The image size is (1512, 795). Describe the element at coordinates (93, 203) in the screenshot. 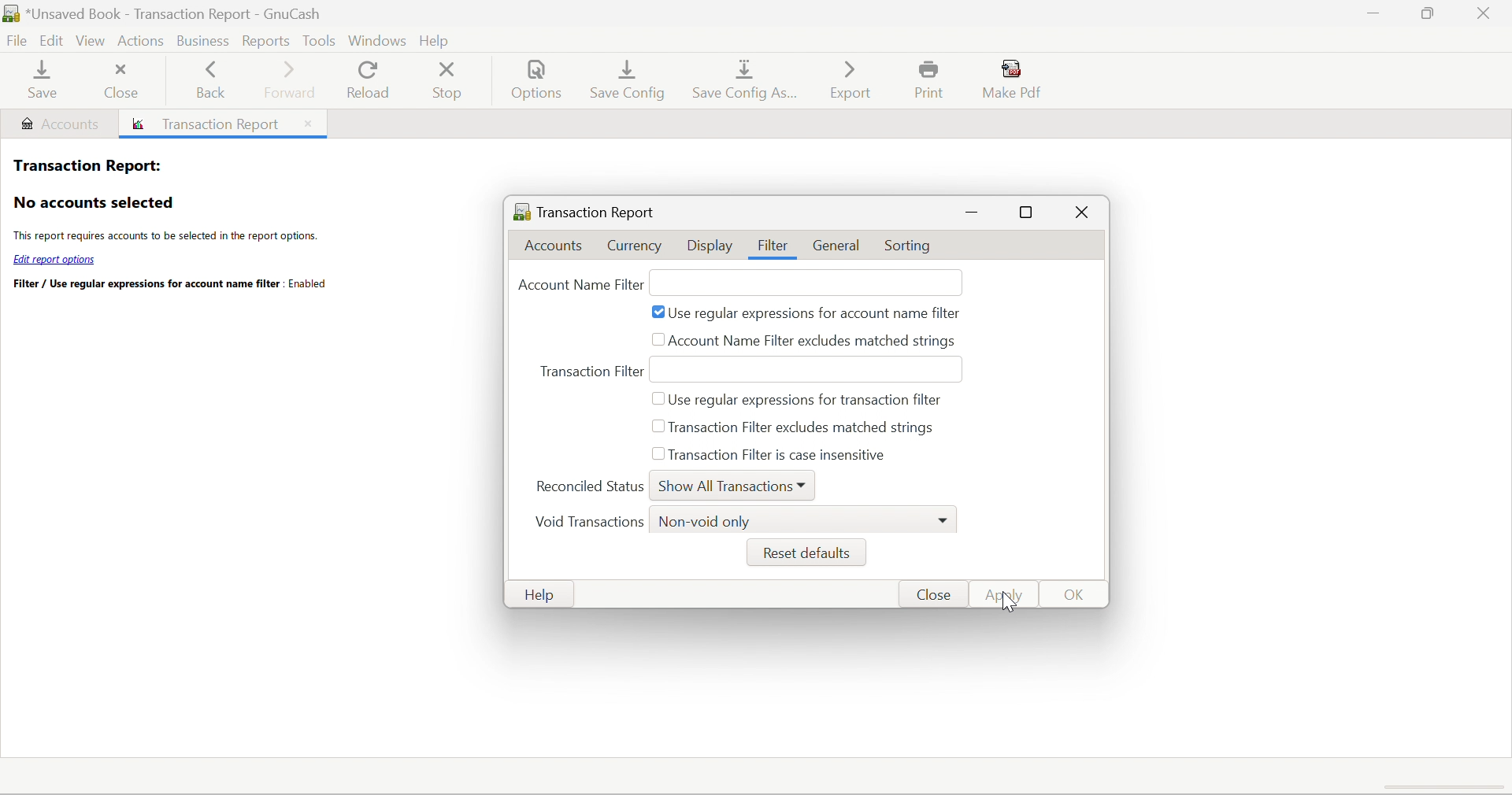

I see `No accounts selected` at that location.